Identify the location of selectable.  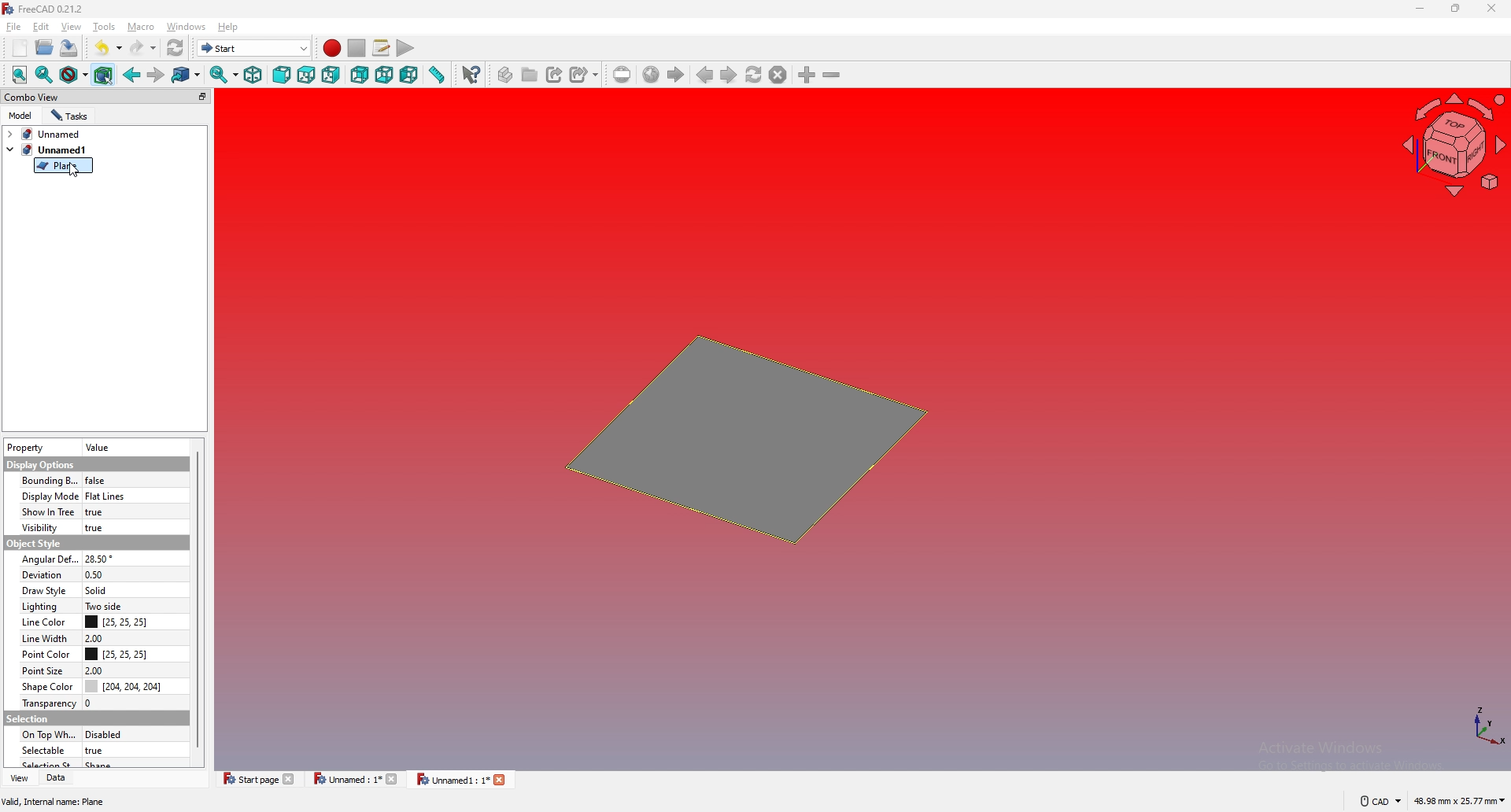
(50, 750).